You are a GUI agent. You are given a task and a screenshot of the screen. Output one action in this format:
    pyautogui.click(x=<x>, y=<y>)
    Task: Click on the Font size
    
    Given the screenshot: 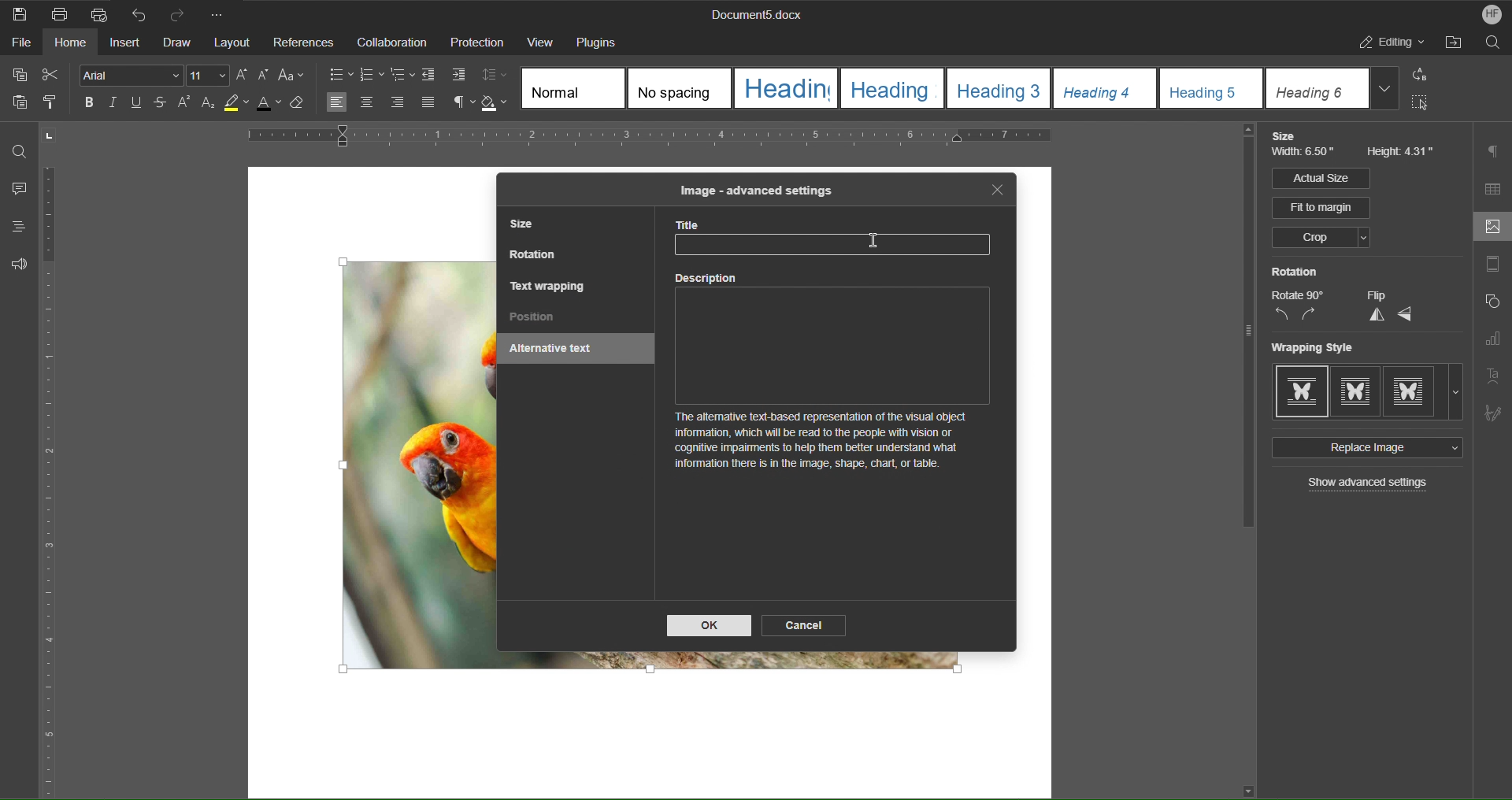 What is the action you would take?
    pyautogui.click(x=209, y=76)
    